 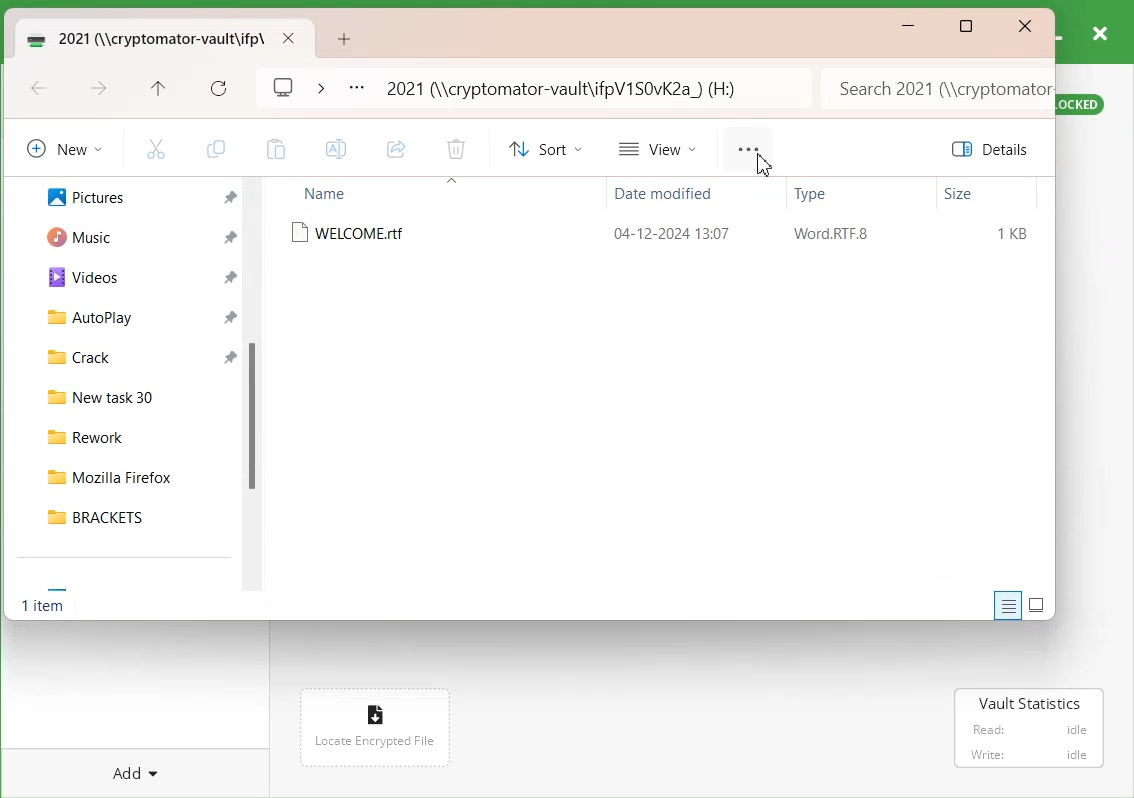 I want to click on More, so click(x=356, y=89).